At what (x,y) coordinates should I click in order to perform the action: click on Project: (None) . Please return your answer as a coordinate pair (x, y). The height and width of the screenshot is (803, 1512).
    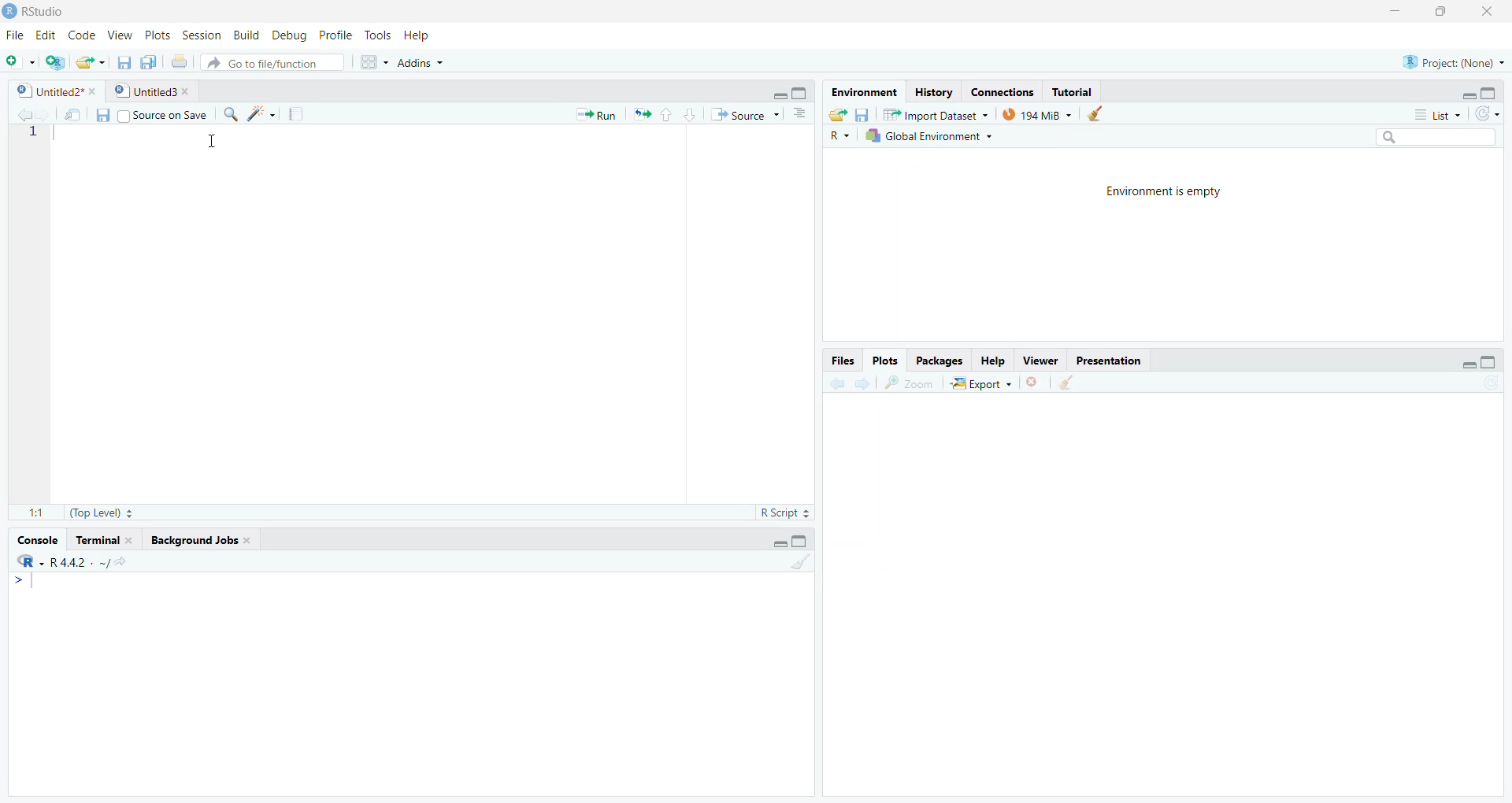
    Looking at the image, I should click on (1455, 61).